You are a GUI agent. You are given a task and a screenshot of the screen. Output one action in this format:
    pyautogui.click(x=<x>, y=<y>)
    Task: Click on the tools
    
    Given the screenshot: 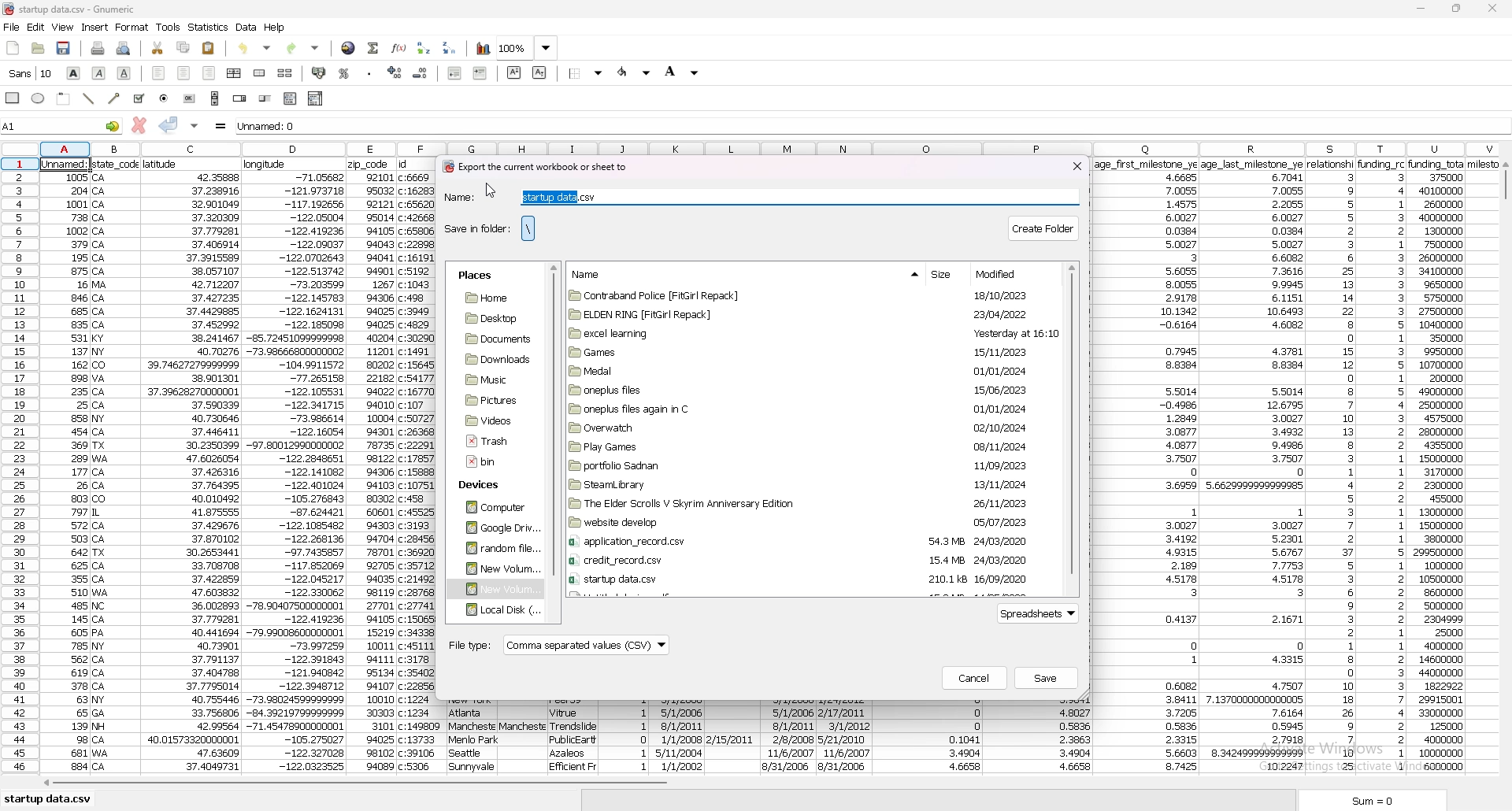 What is the action you would take?
    pyautogui.click(x=169, y=27)
    